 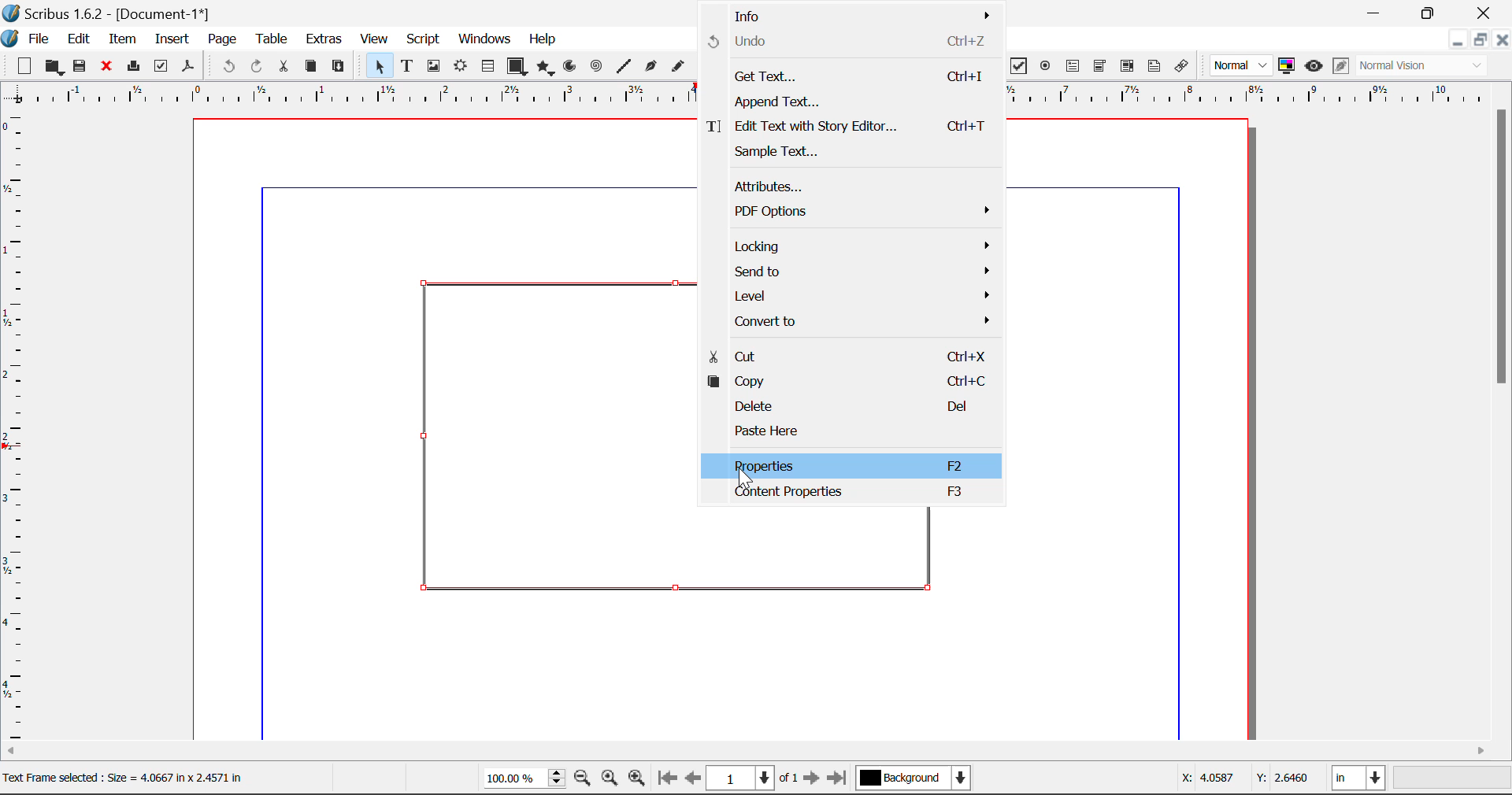 What do you see at coordinates (120, 37) in the screenshot?
I see `Item` at bounding box center [120, 37].